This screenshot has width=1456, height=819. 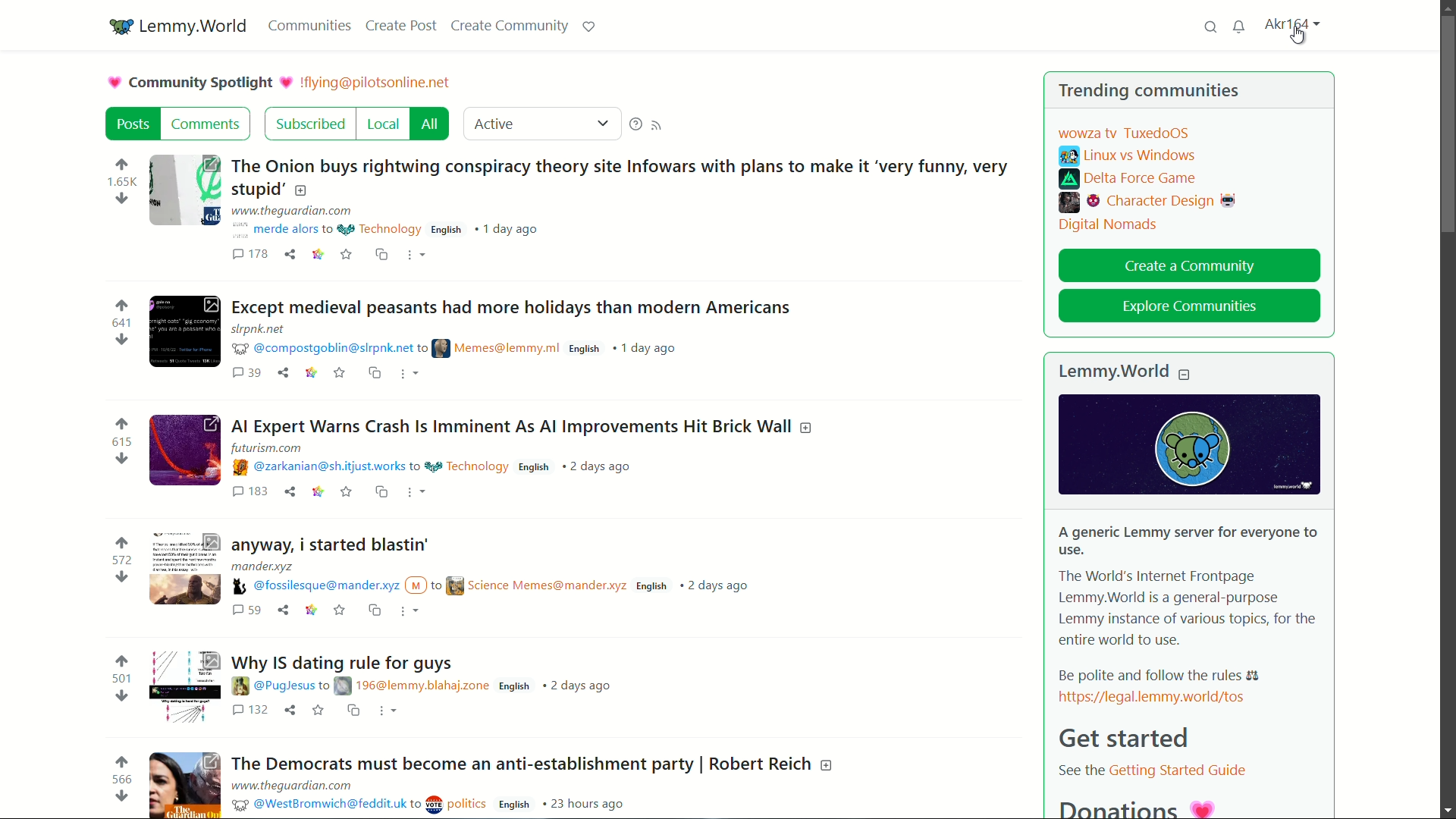 What do you see at coordinates (657, 126) in the screenshot?
I see `rss` at bounding box center [657, 126].